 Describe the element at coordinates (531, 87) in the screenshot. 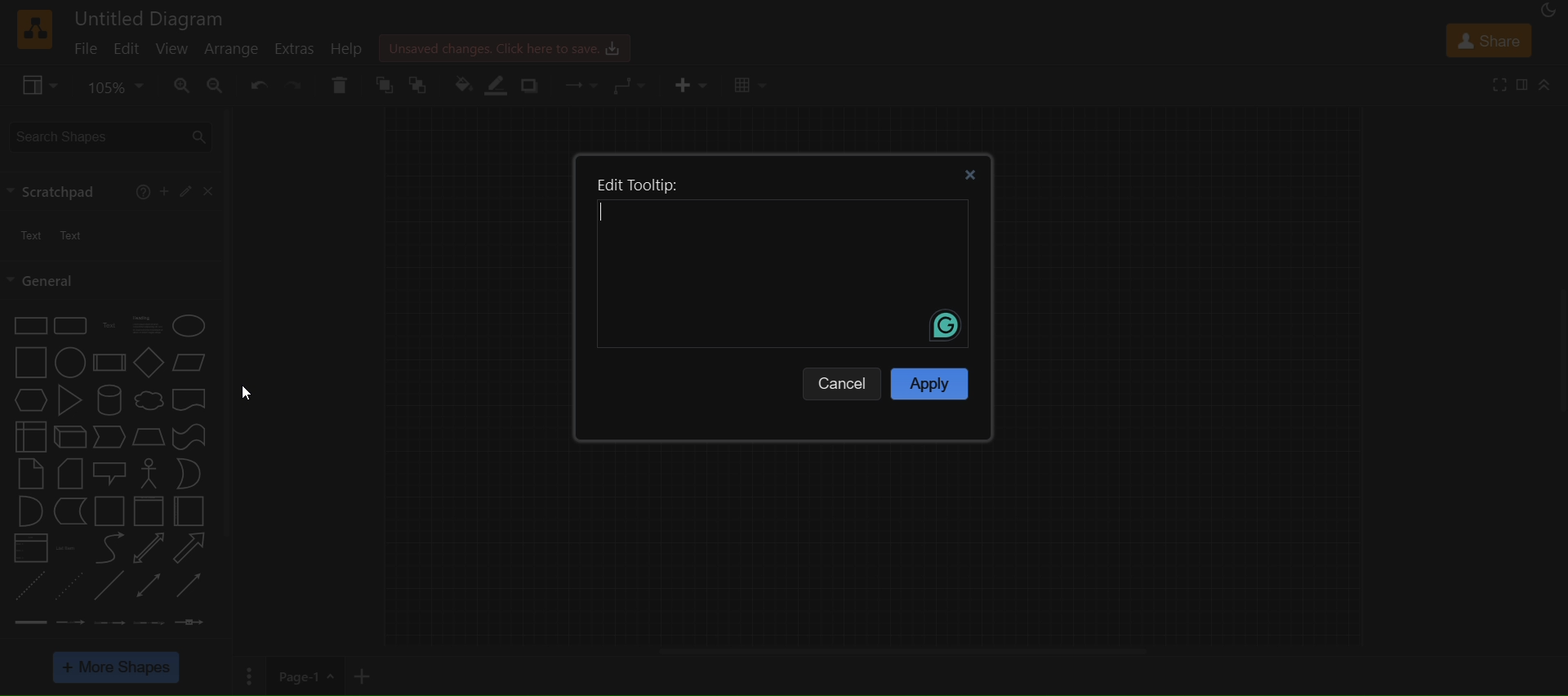

I see `shadows` at that location.